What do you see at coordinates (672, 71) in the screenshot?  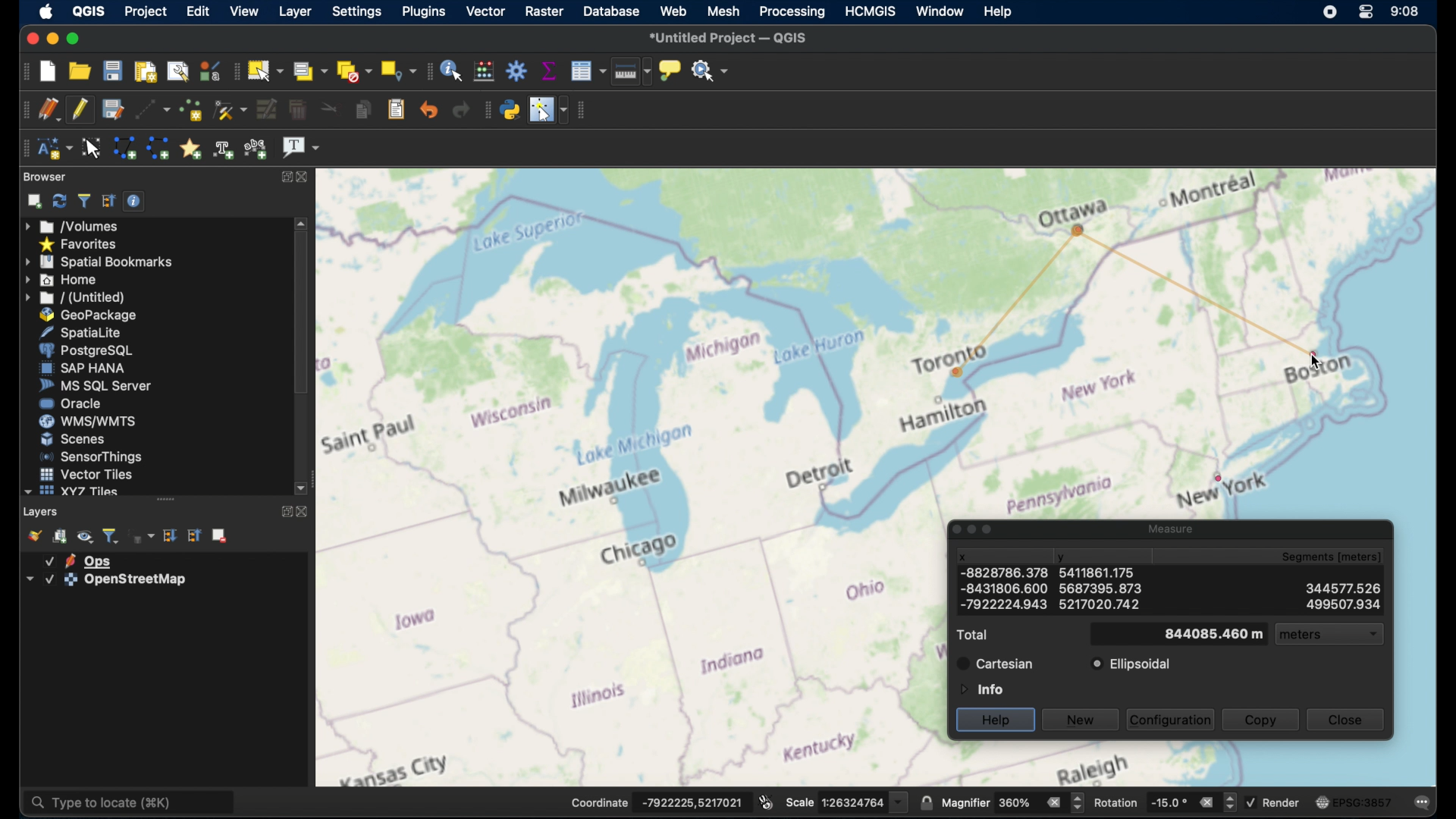 I see `show map tips` at bounding box center [672, 71].